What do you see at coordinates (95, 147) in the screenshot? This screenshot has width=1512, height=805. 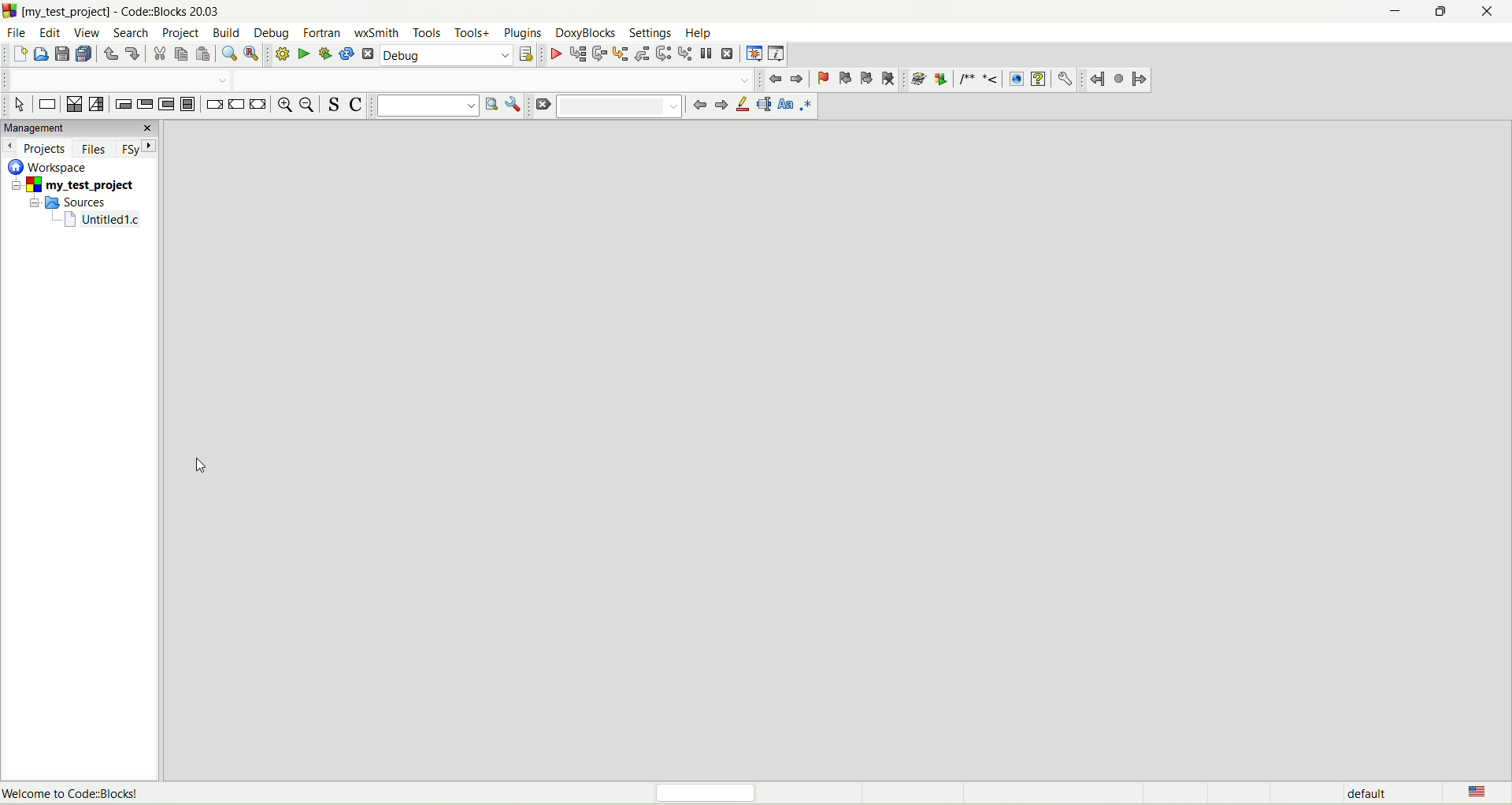 I see `files` at bounding box center [95, 147].